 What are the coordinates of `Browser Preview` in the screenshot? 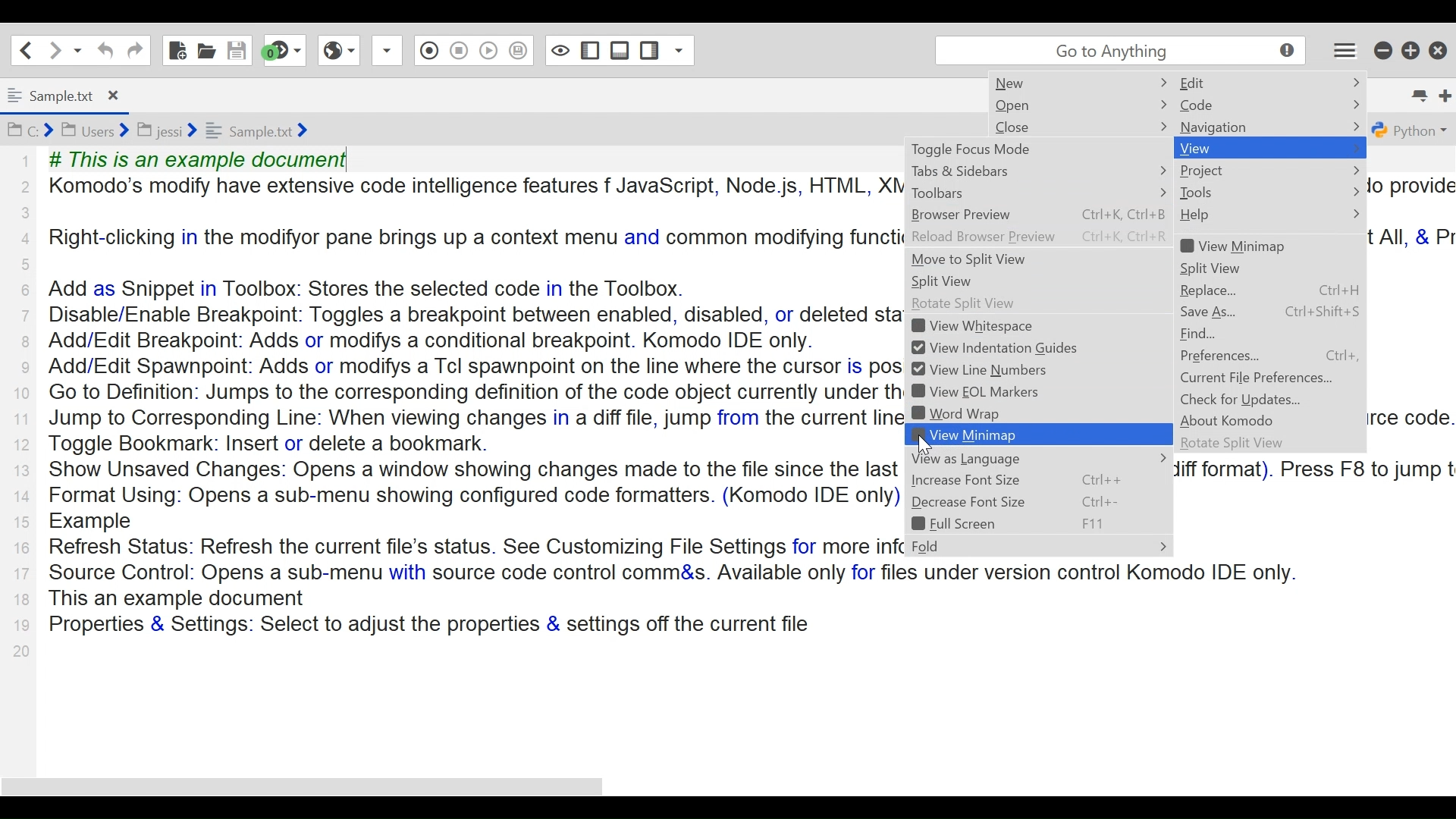 It's located at (1038, 215).